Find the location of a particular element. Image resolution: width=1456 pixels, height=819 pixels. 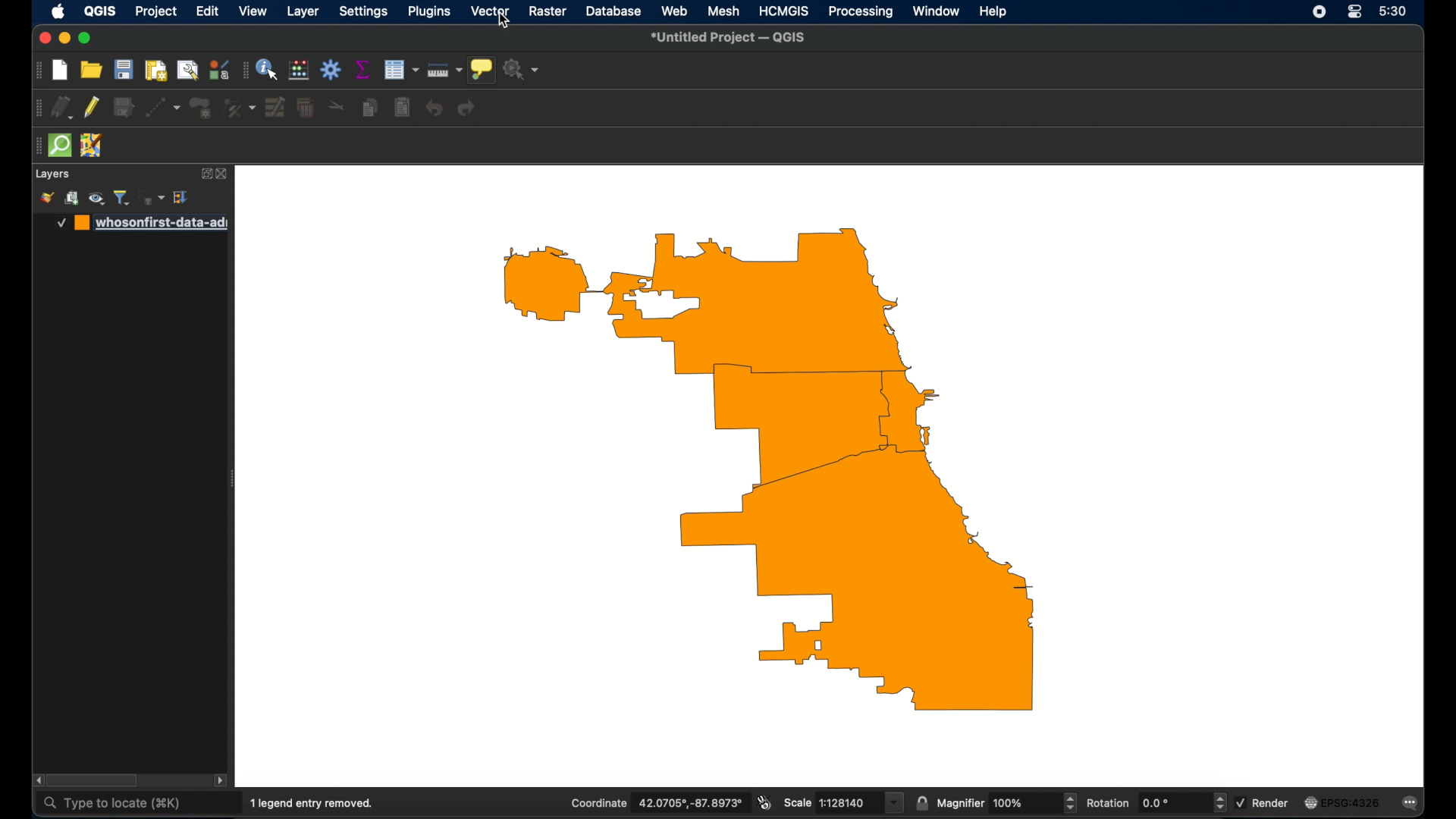

processing is located at coordinates (860, 11).